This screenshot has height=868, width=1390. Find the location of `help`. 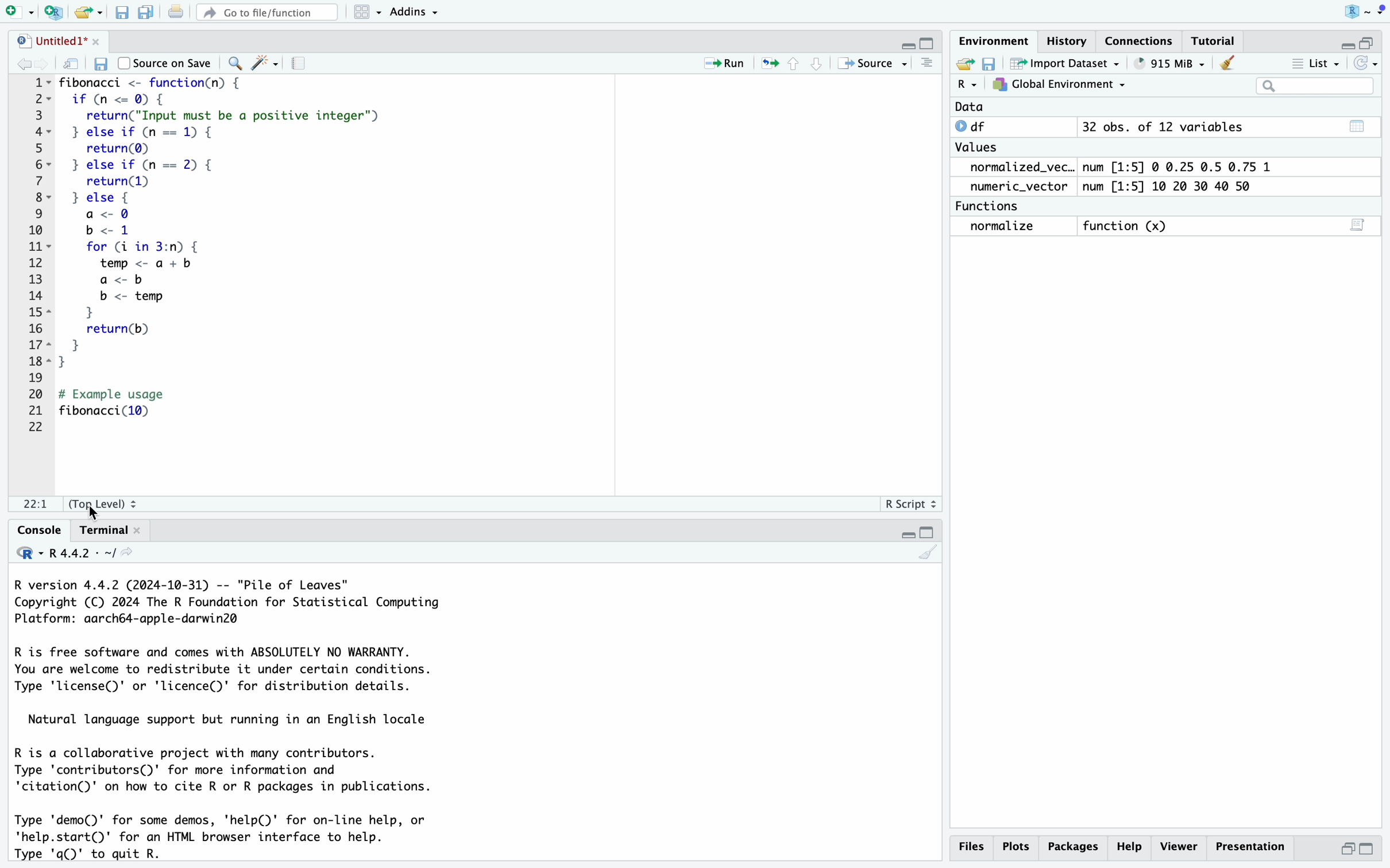

help is located at coordinates (1131, 848).